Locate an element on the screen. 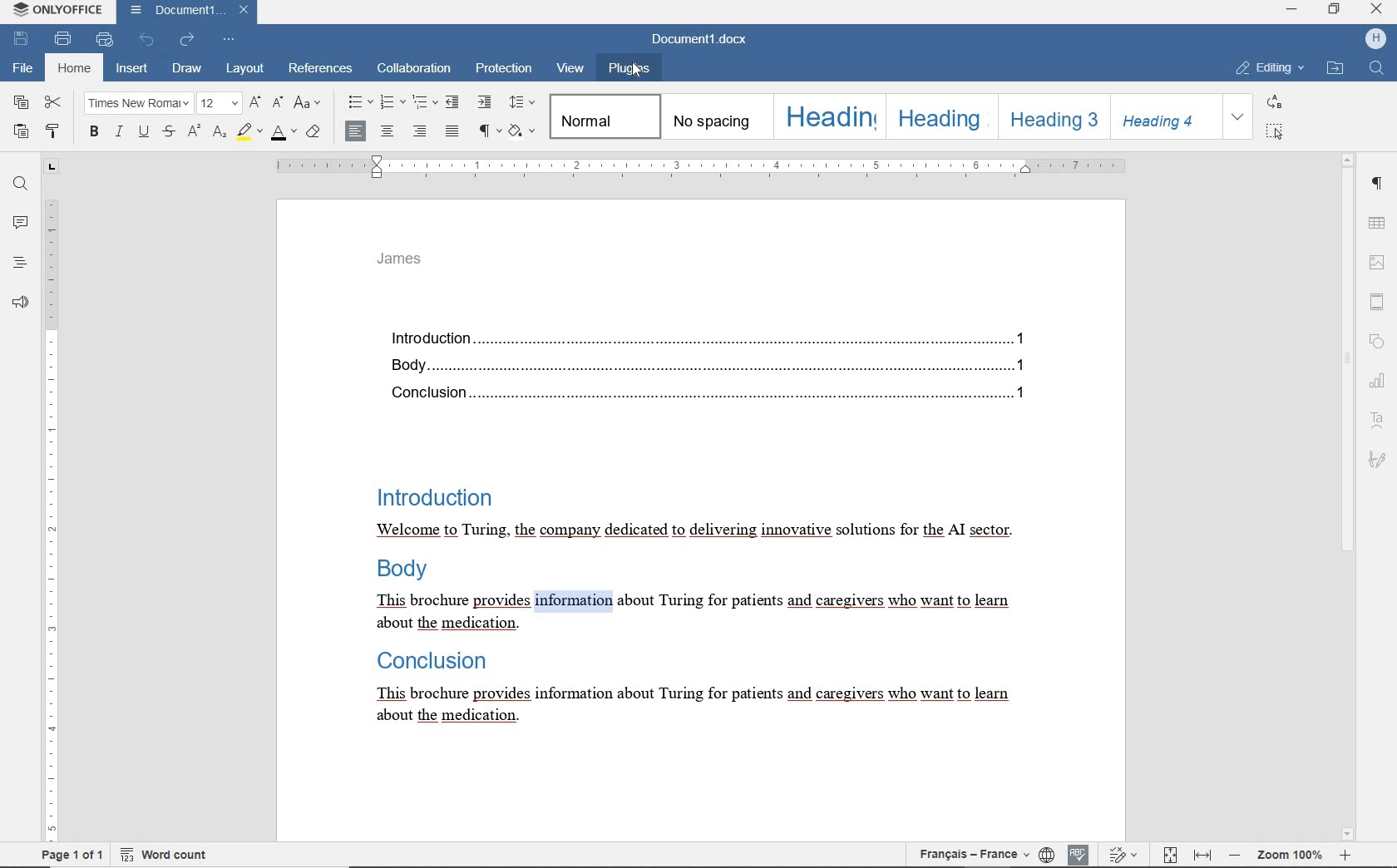  DECREASE INDENT is located at coordinates (455, 101).